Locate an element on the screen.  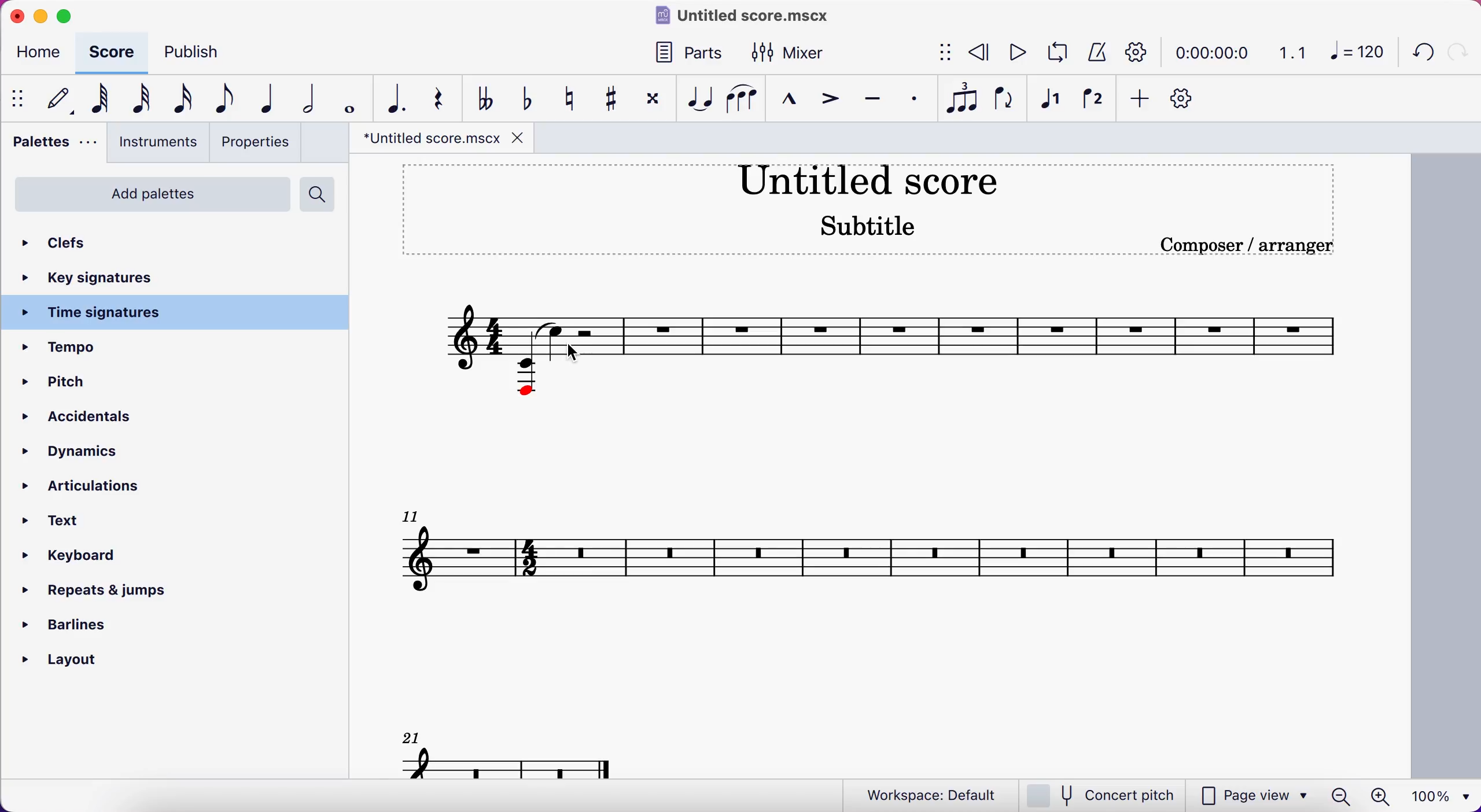
mixer is located at coordinates (793, 53).